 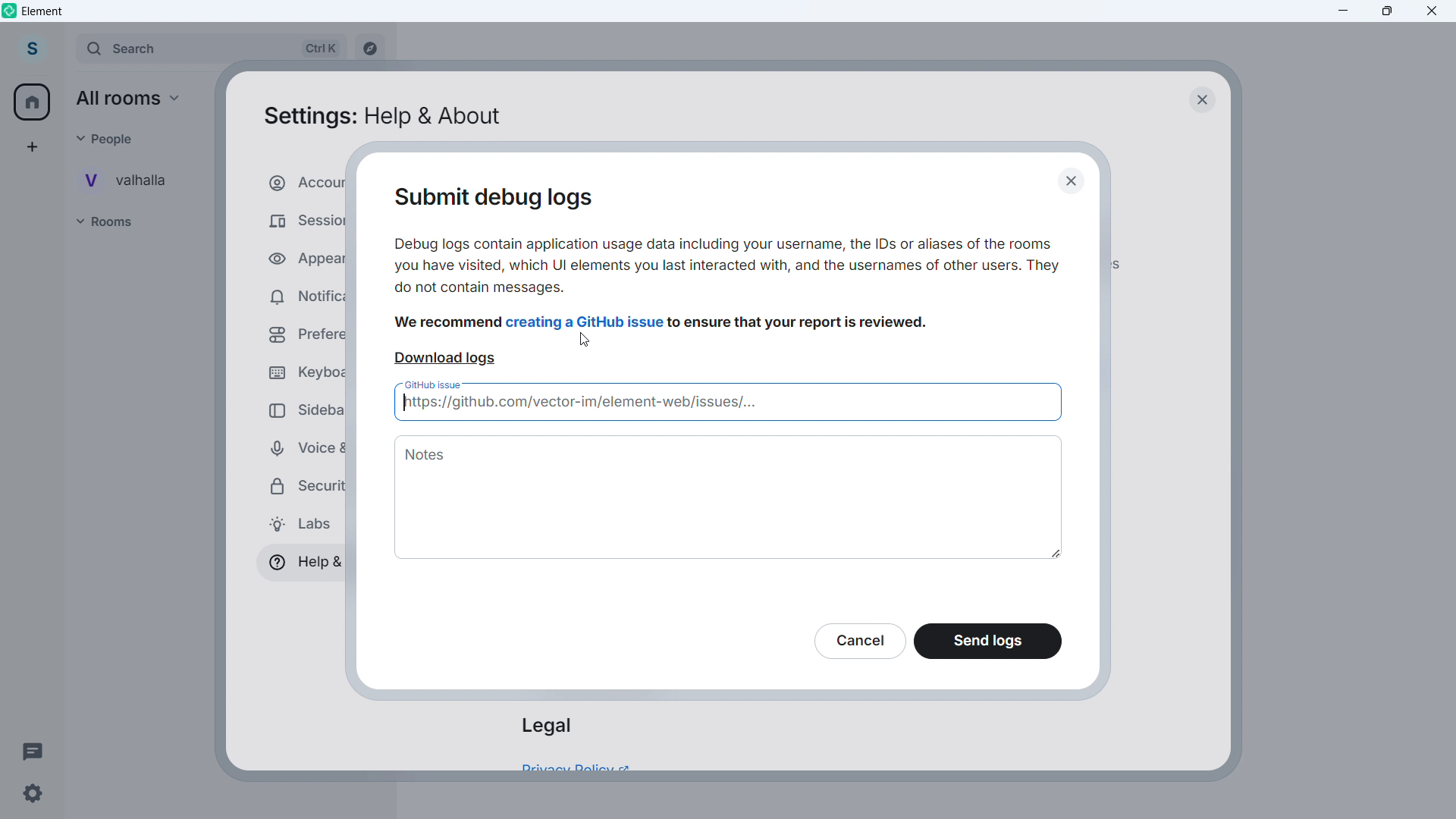 I want to click on do not contain messages, so click(x=482, y=288).